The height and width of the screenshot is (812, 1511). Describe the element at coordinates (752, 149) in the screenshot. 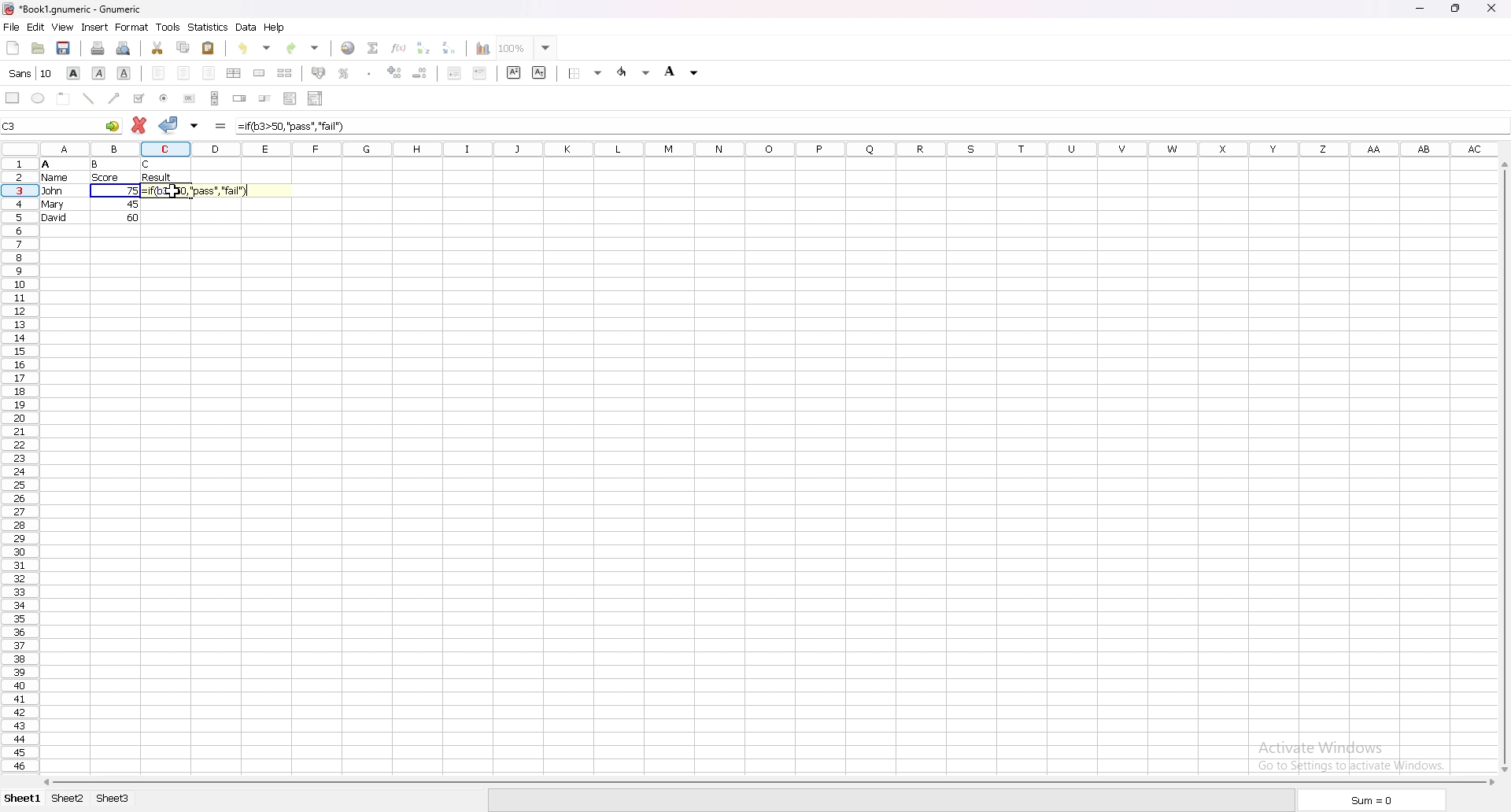

I see `column` at that location.